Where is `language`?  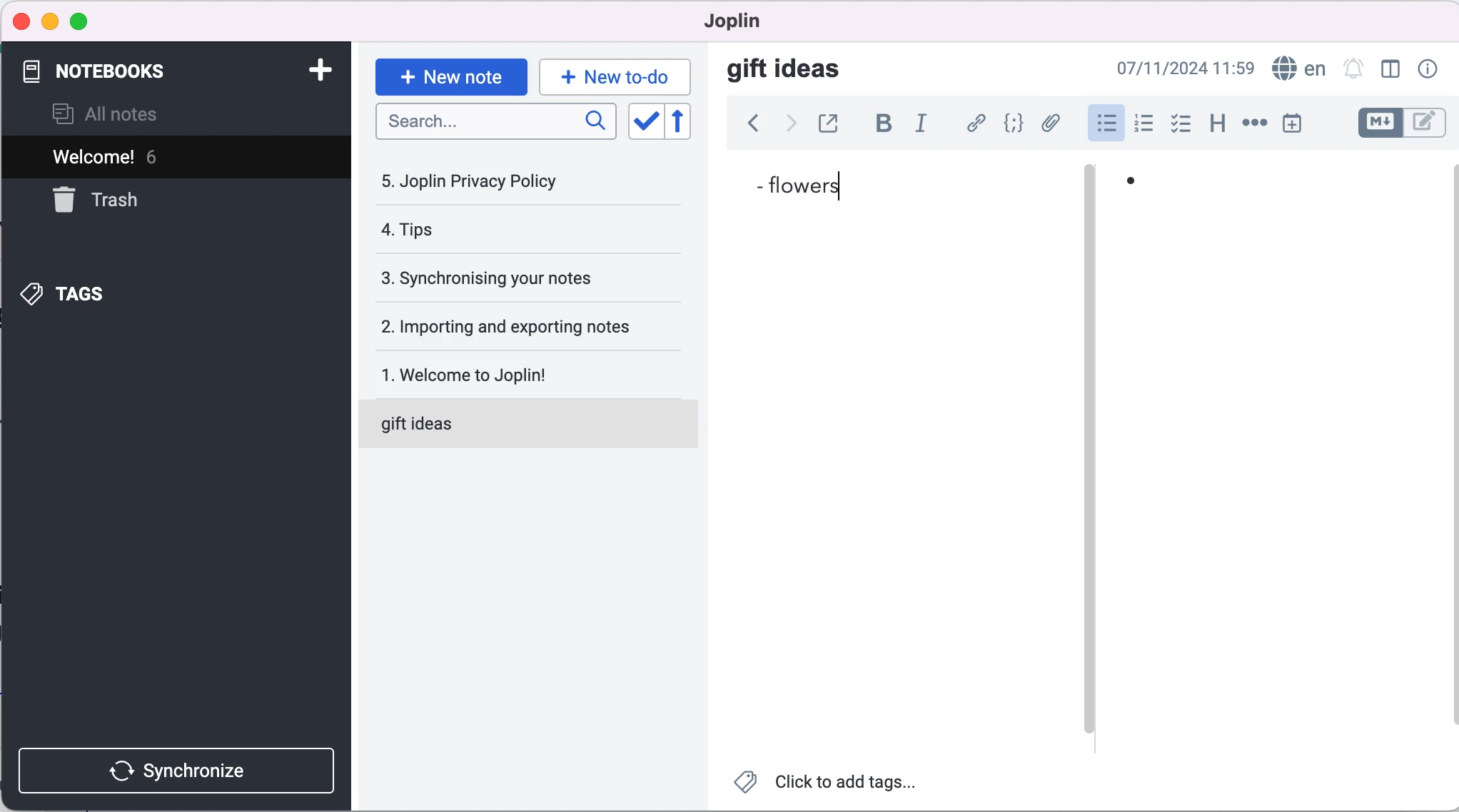 language is located at coordinates (1298, 69).